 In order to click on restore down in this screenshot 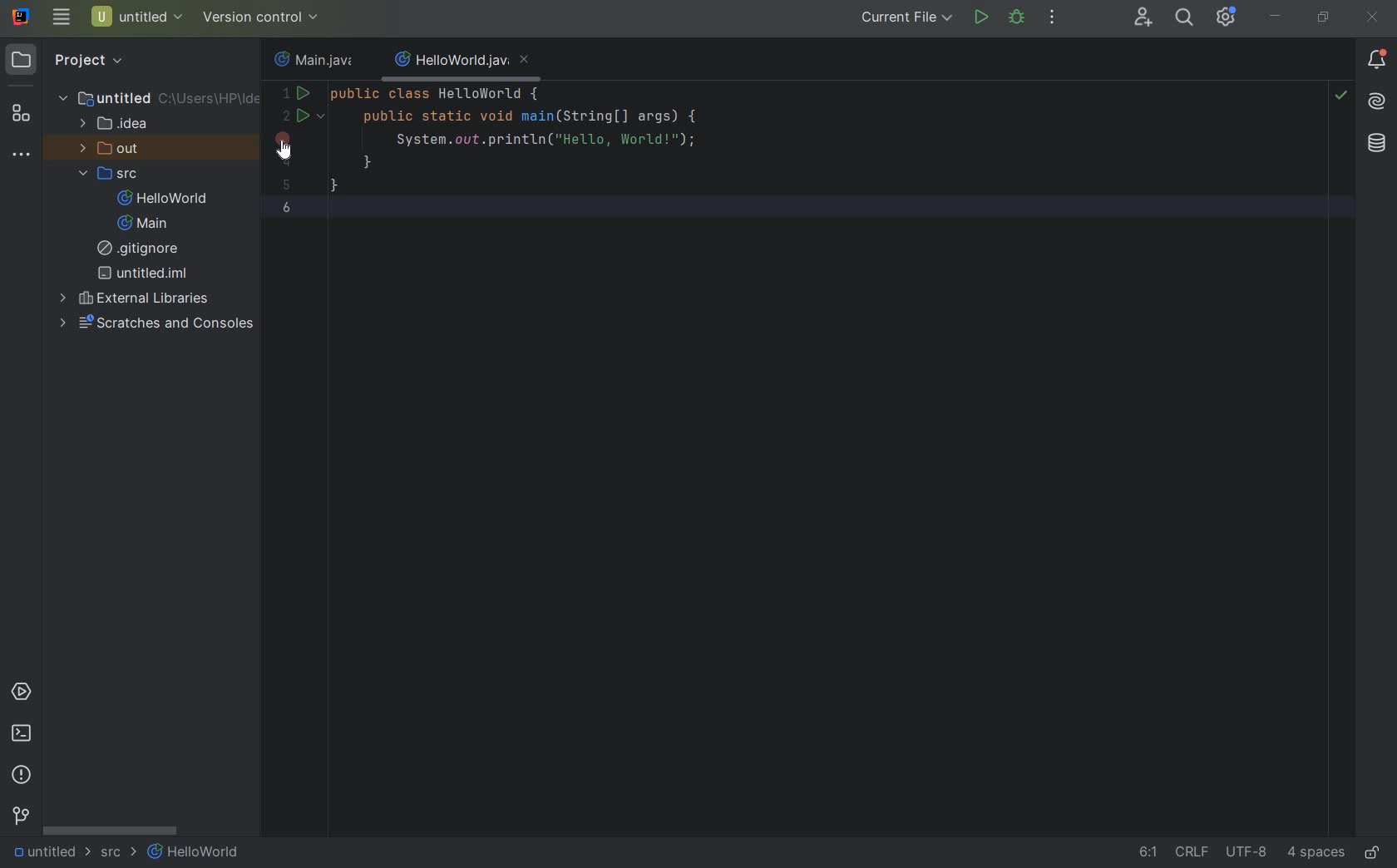, I will do `click(1322, 17)`.